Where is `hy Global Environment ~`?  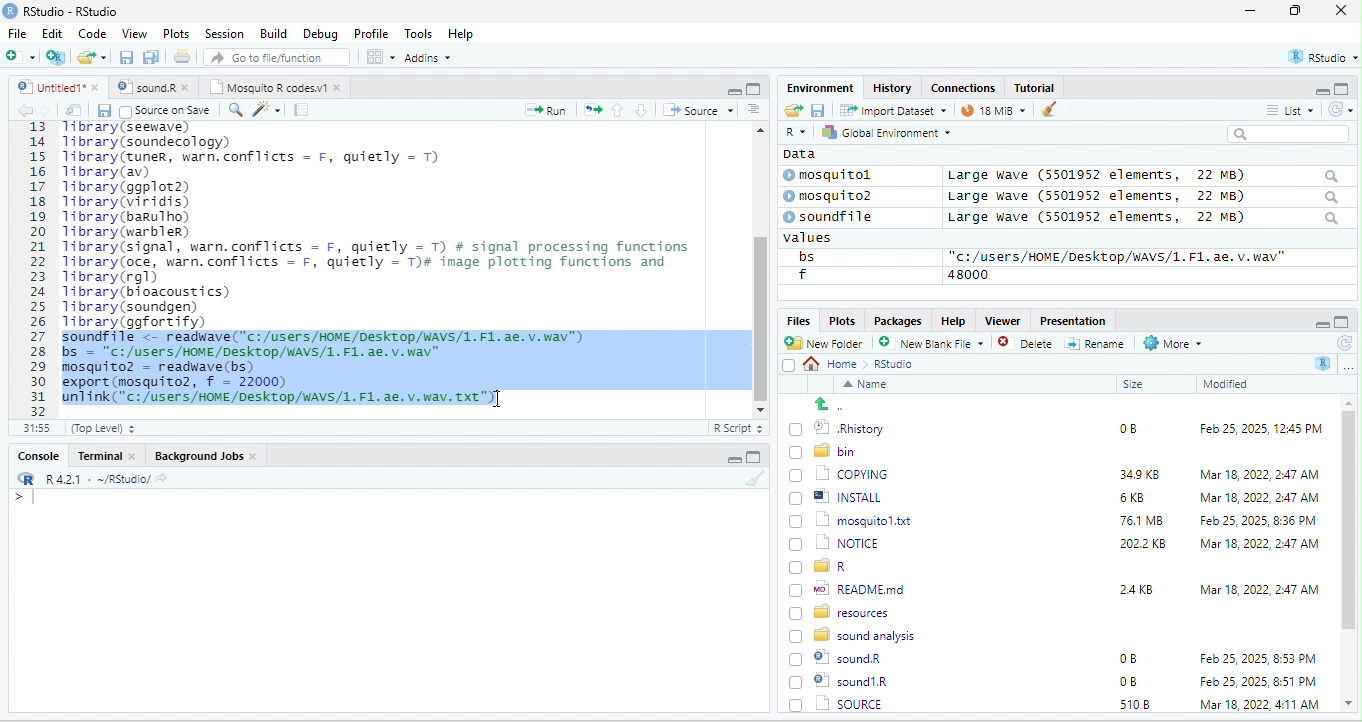
hy Global Environment ~ is located at coordinates (881, 132).